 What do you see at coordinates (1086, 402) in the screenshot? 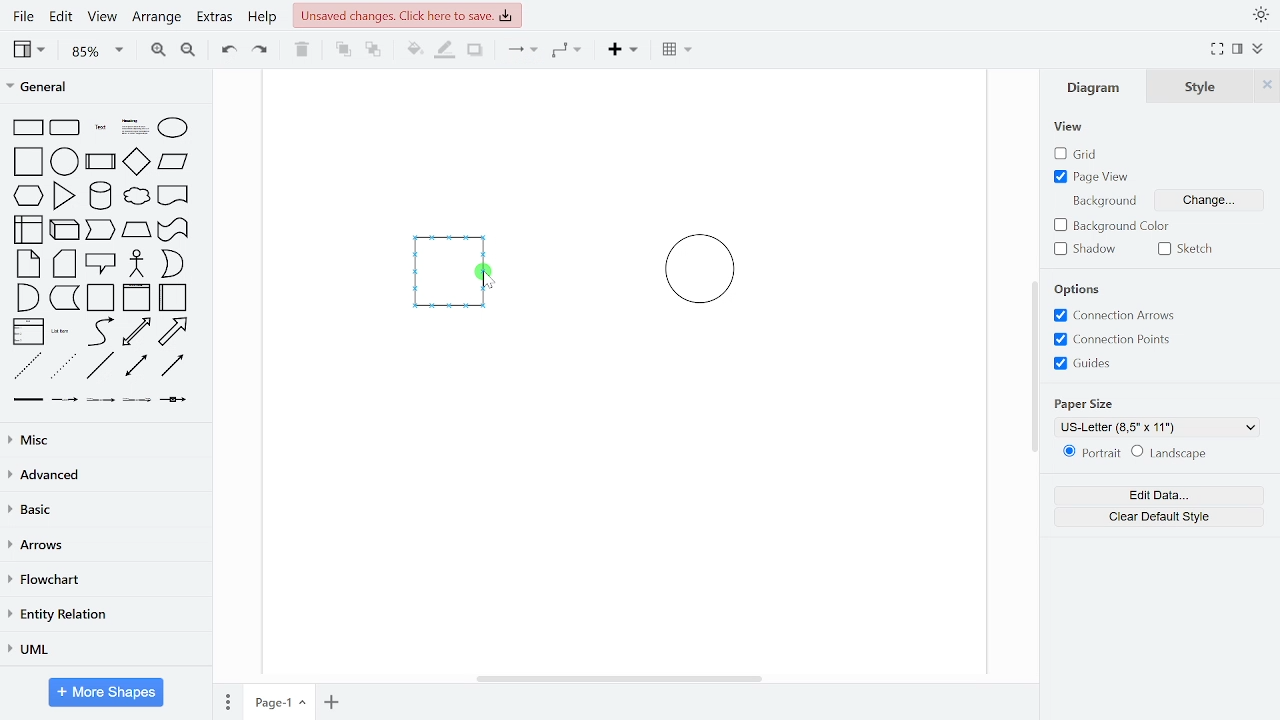
I see `paper size` at bounding box center [1086, 402].